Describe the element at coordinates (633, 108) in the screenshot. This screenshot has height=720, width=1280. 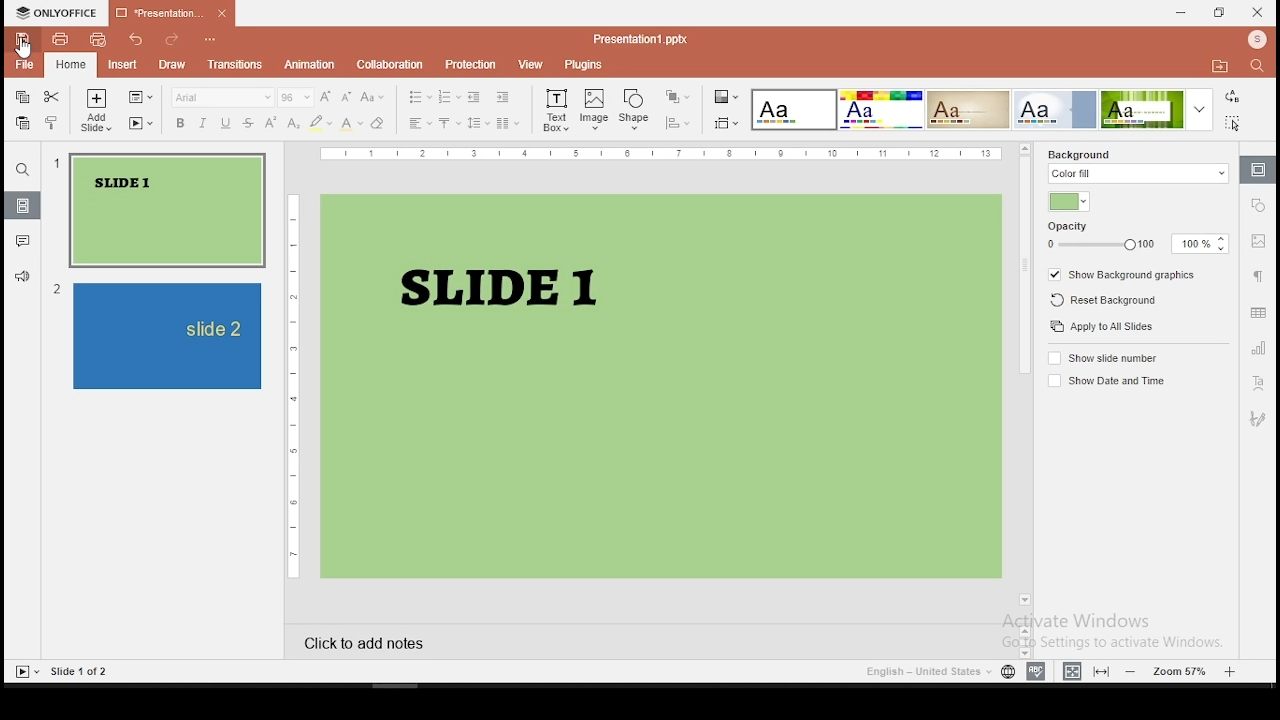
I see `shape` at that location.